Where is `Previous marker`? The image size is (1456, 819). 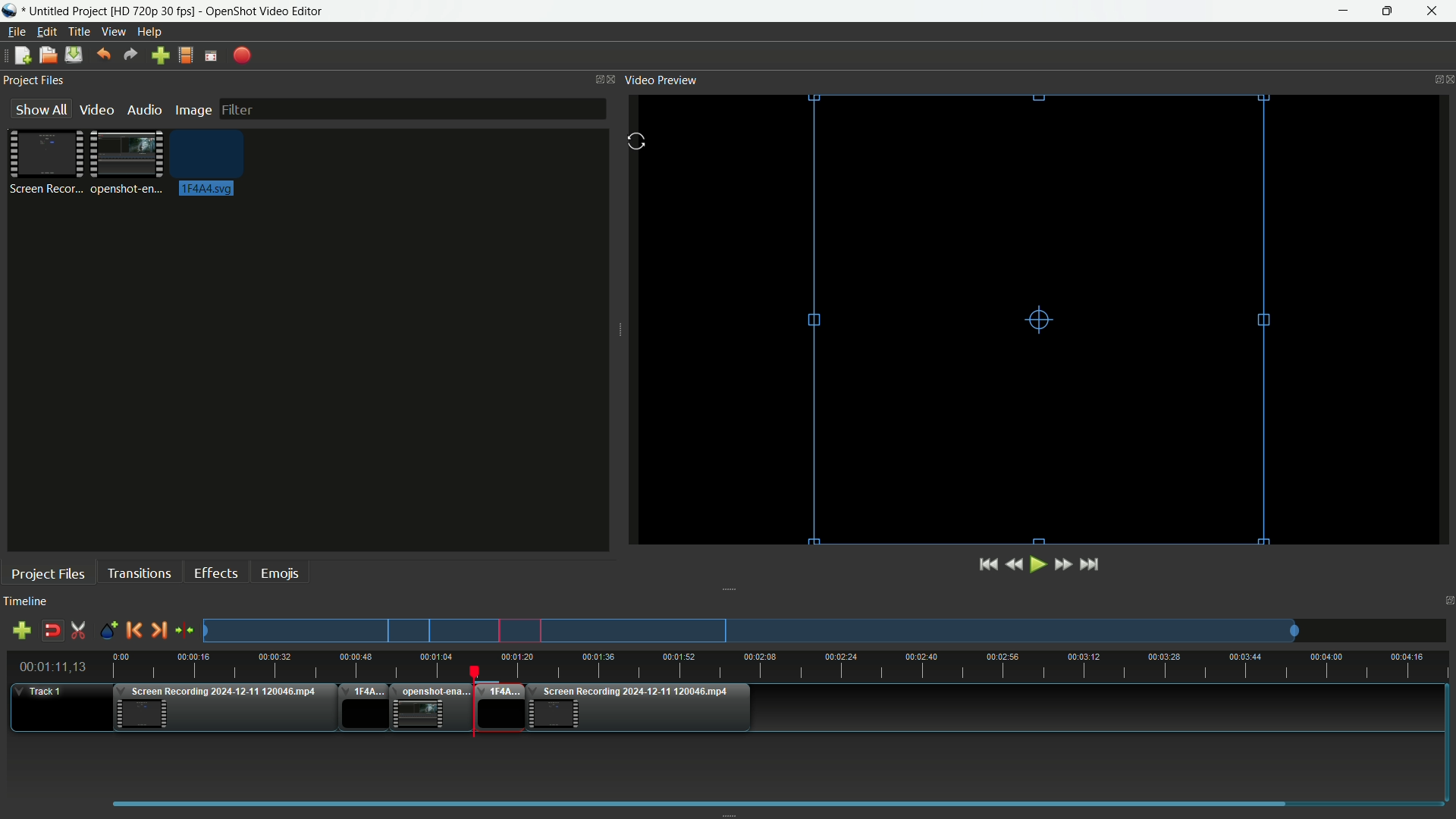 Previous marker is located at coordinates (133, 630).